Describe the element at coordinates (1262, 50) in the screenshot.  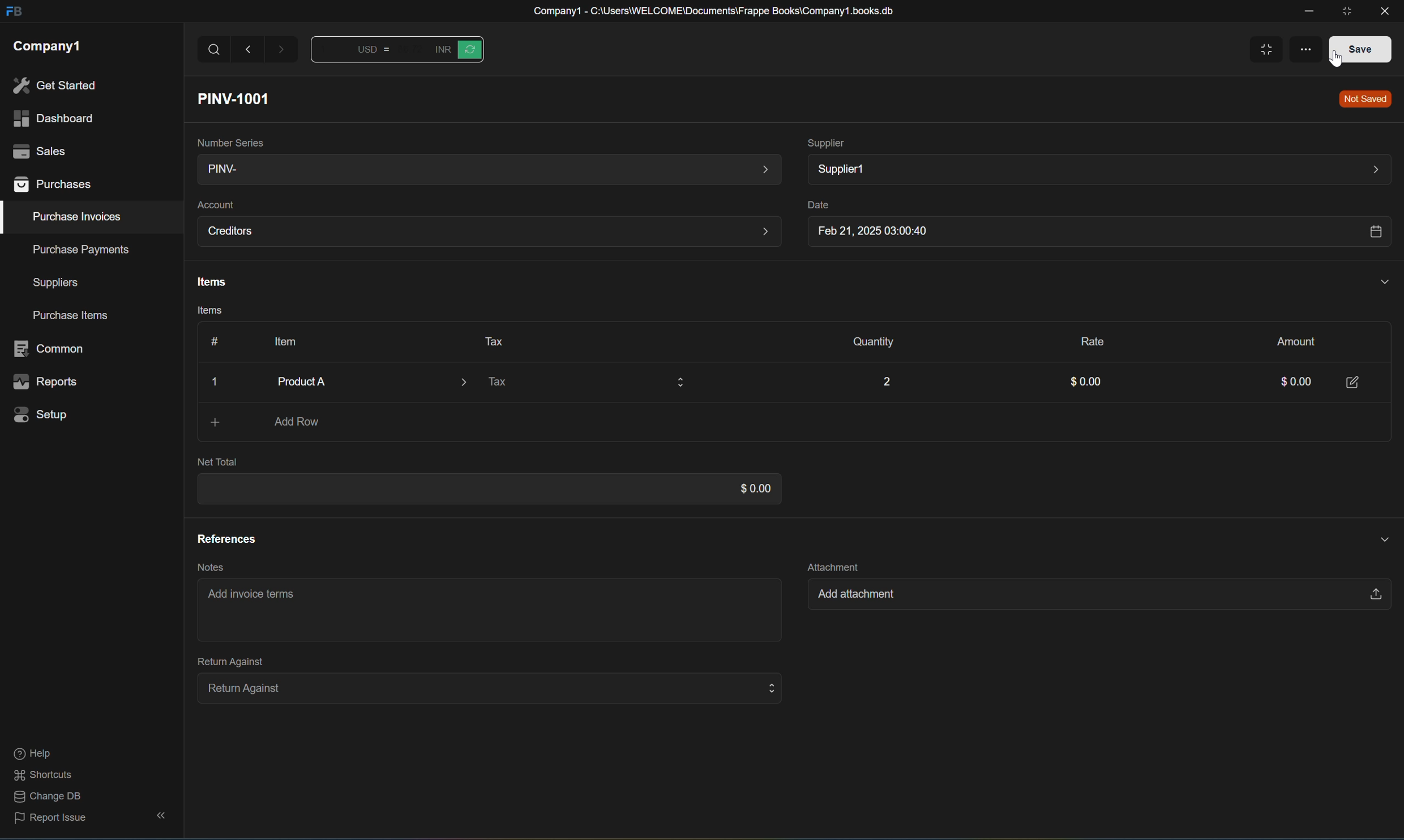
I see `Full width toggle` at that location.